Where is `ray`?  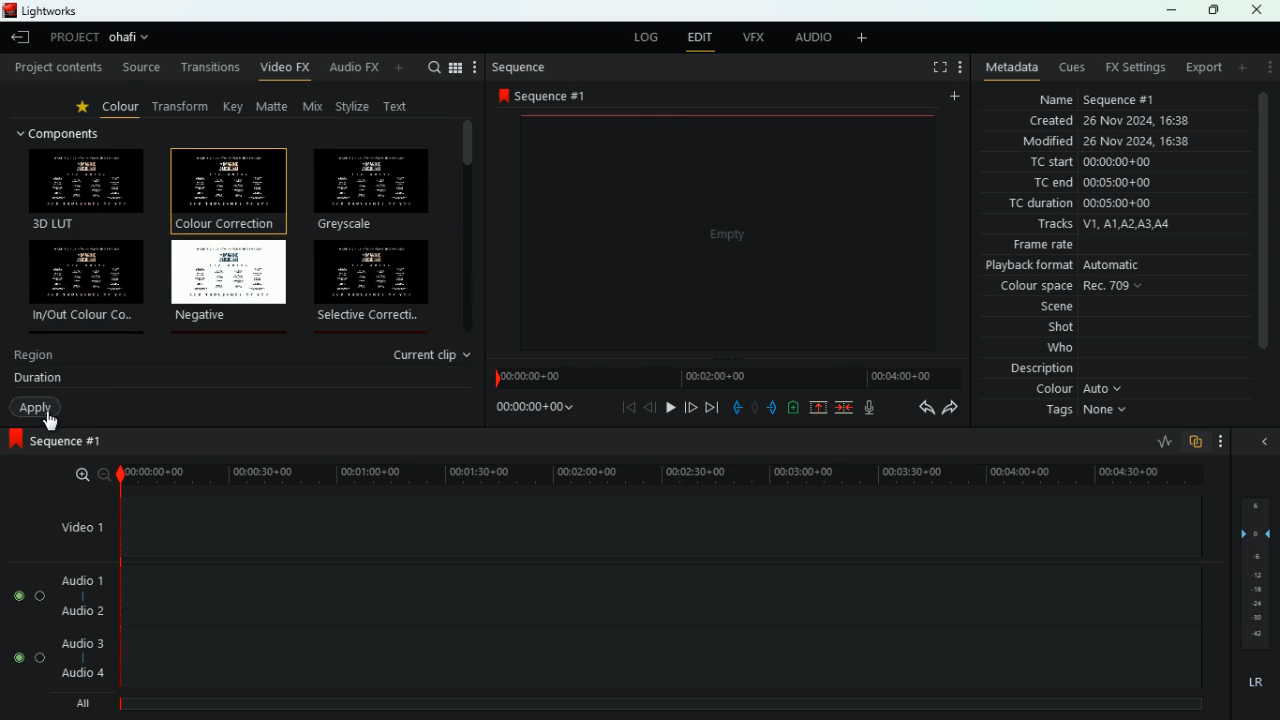 ray is located at coordinates (1162, 441).